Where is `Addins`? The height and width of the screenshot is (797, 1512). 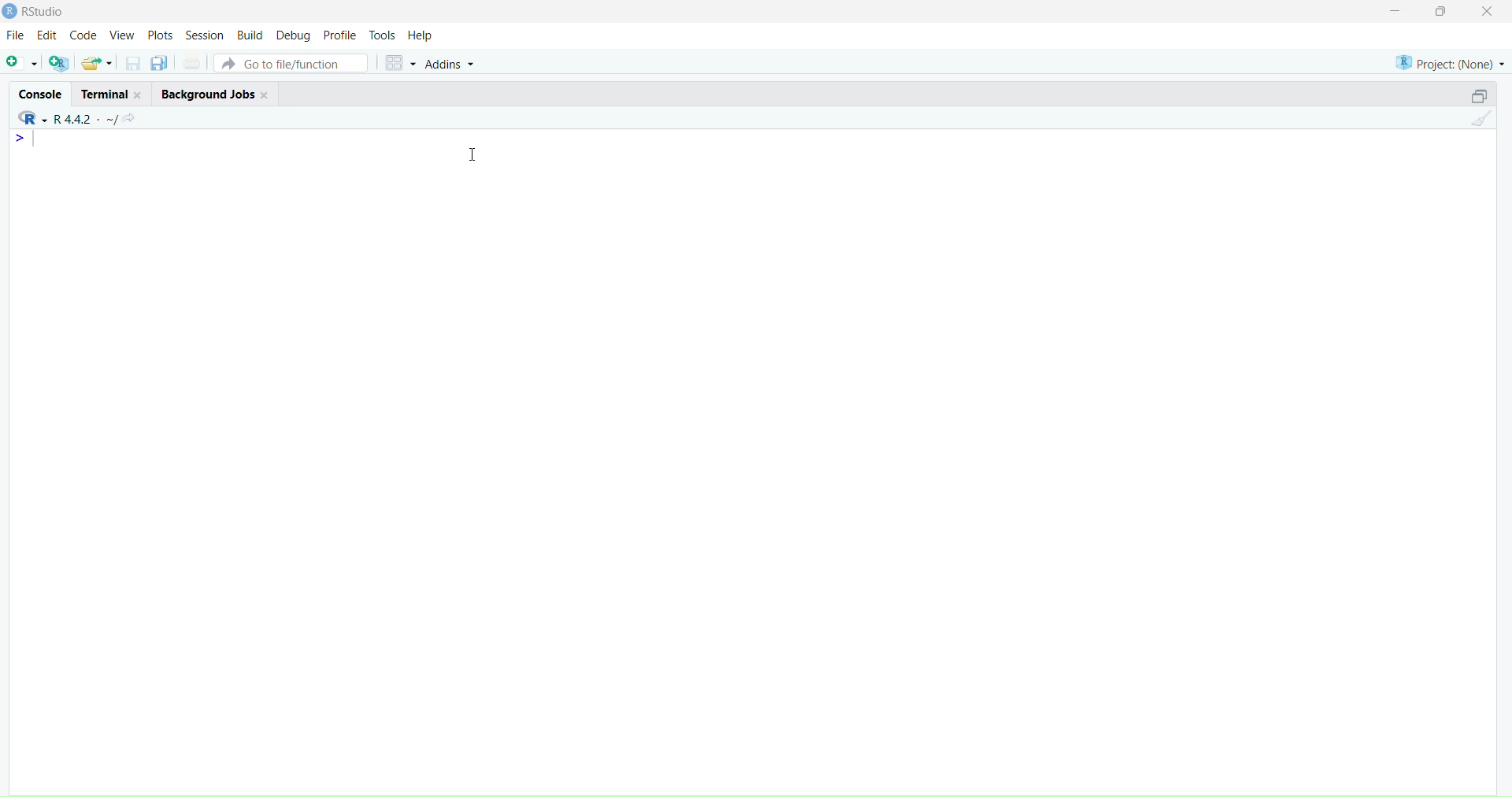
Addins is located at coordinates (451, 65).